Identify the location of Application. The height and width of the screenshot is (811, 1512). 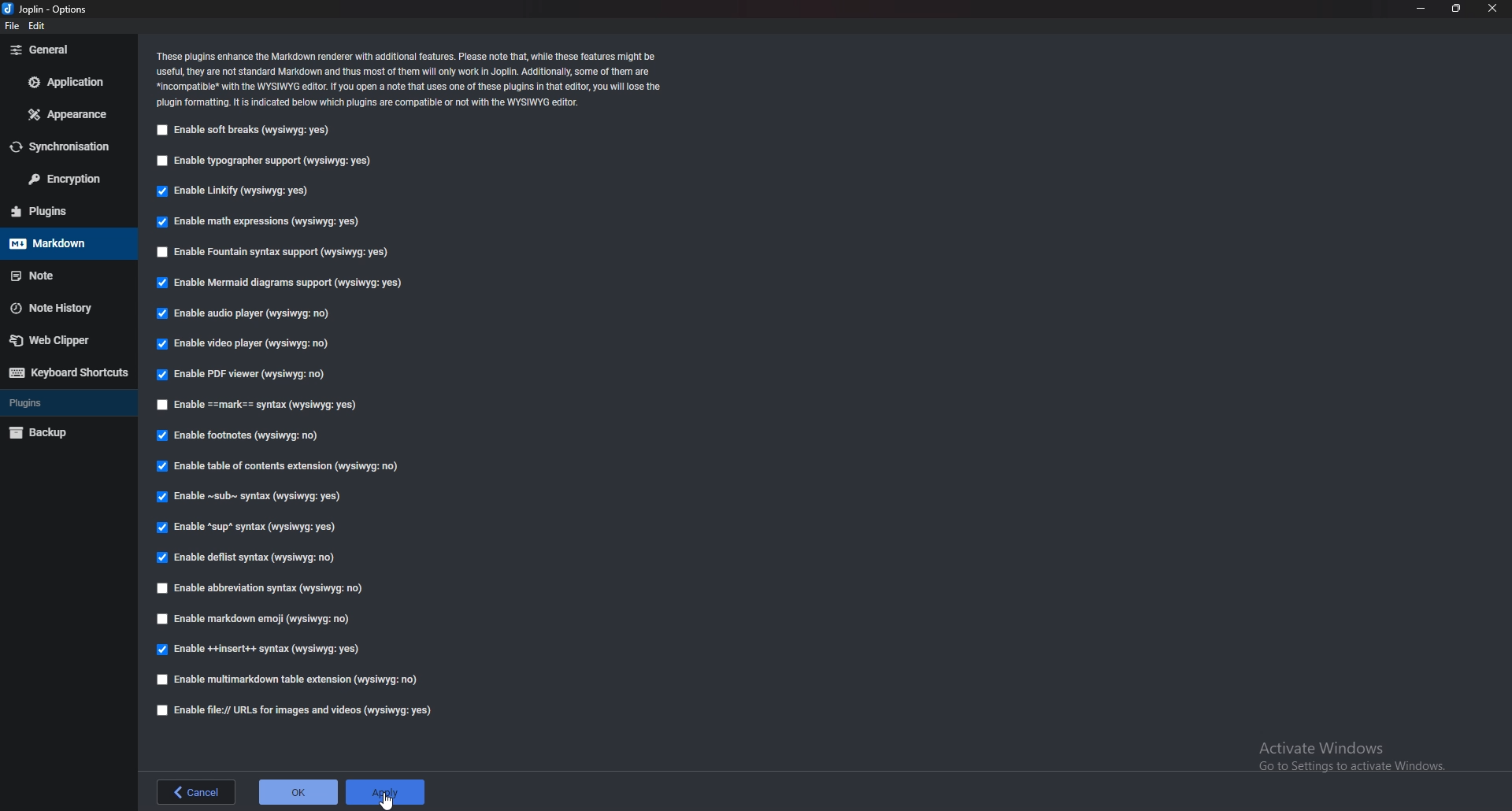
(68, 81).